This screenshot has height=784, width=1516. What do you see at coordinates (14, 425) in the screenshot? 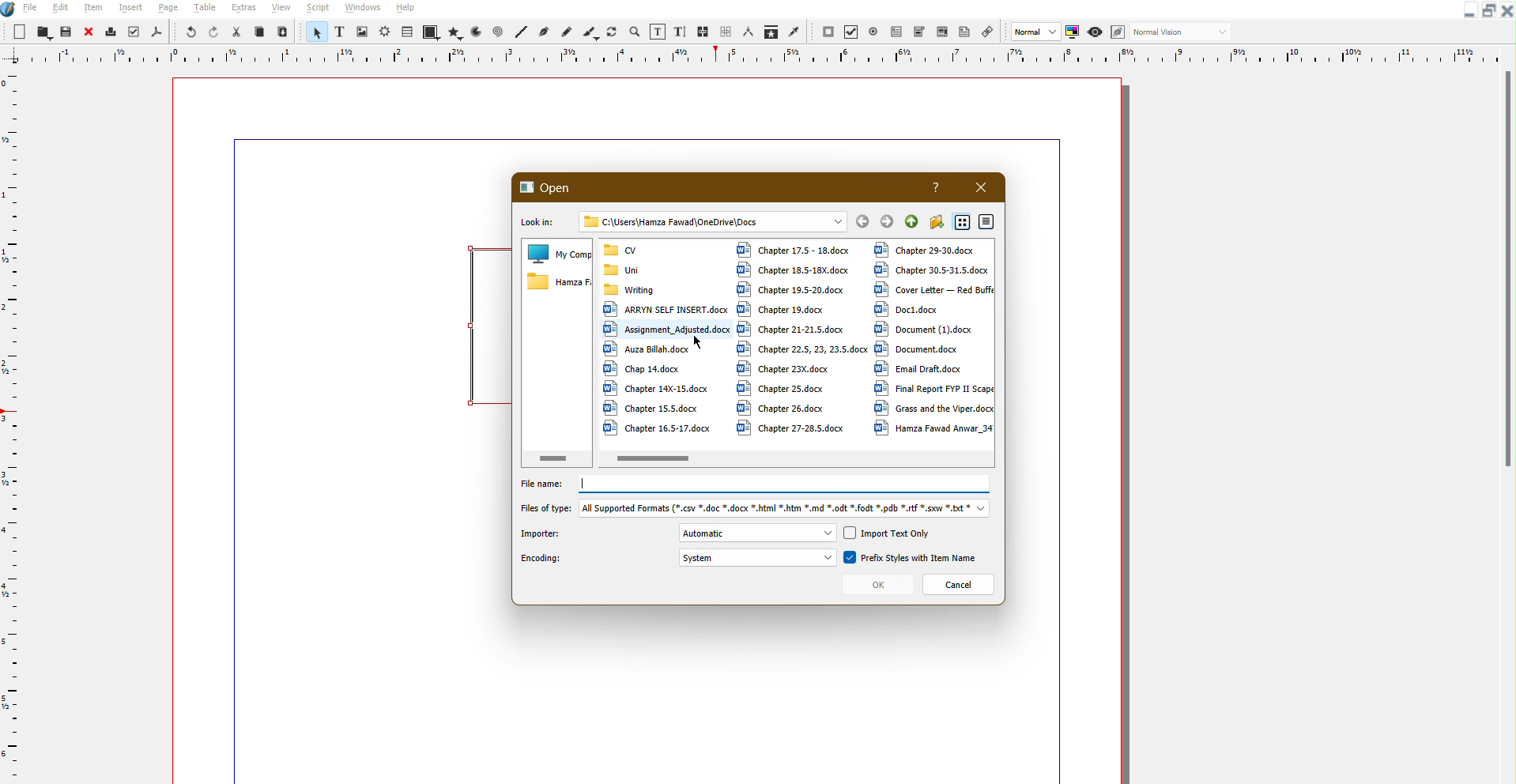
I see `Vertical Ruler` at bounding box center [14, 425].